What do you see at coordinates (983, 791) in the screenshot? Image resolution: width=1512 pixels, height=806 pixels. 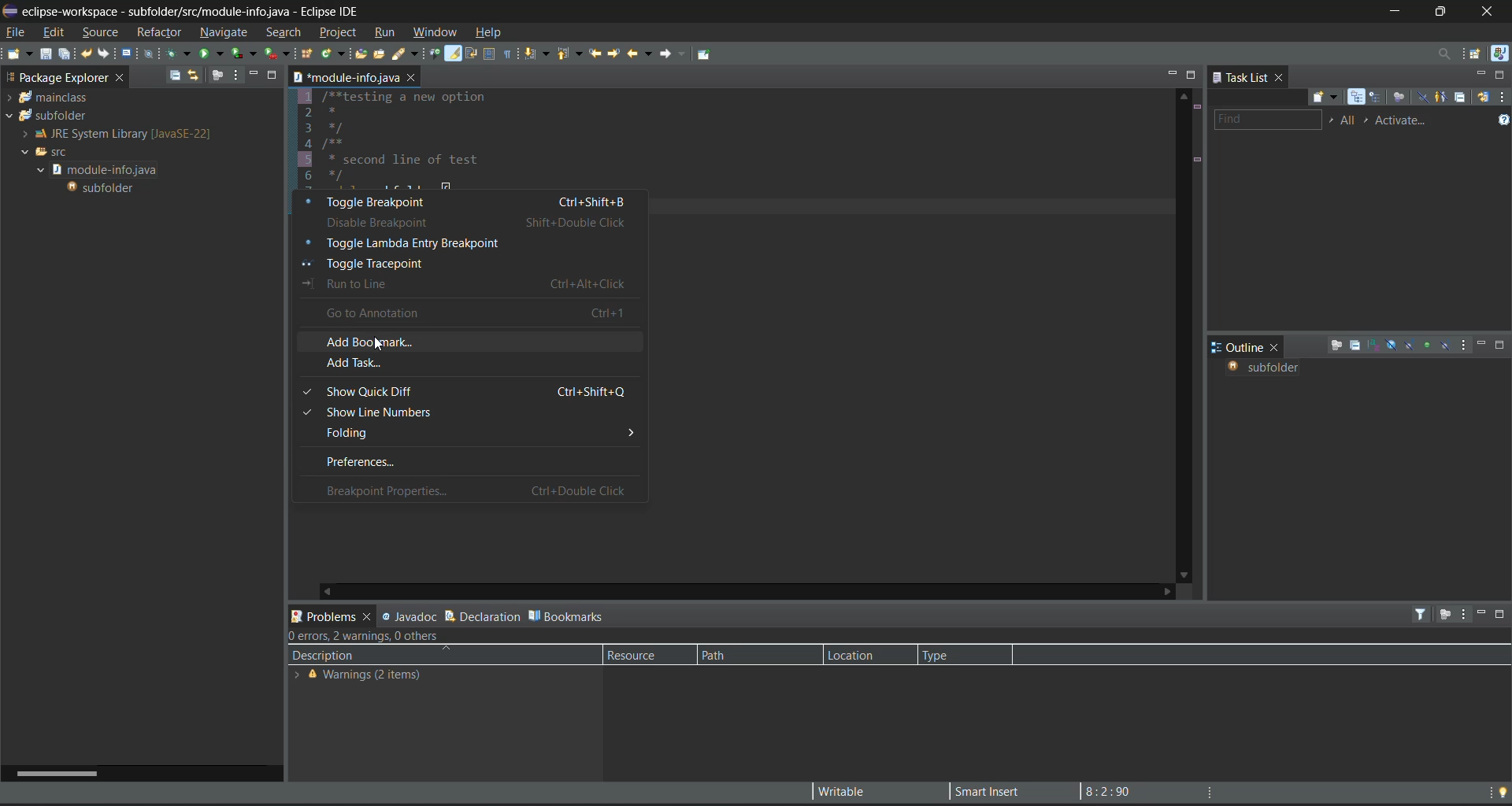 I see `smart insert` at bounding box center [983, 791].